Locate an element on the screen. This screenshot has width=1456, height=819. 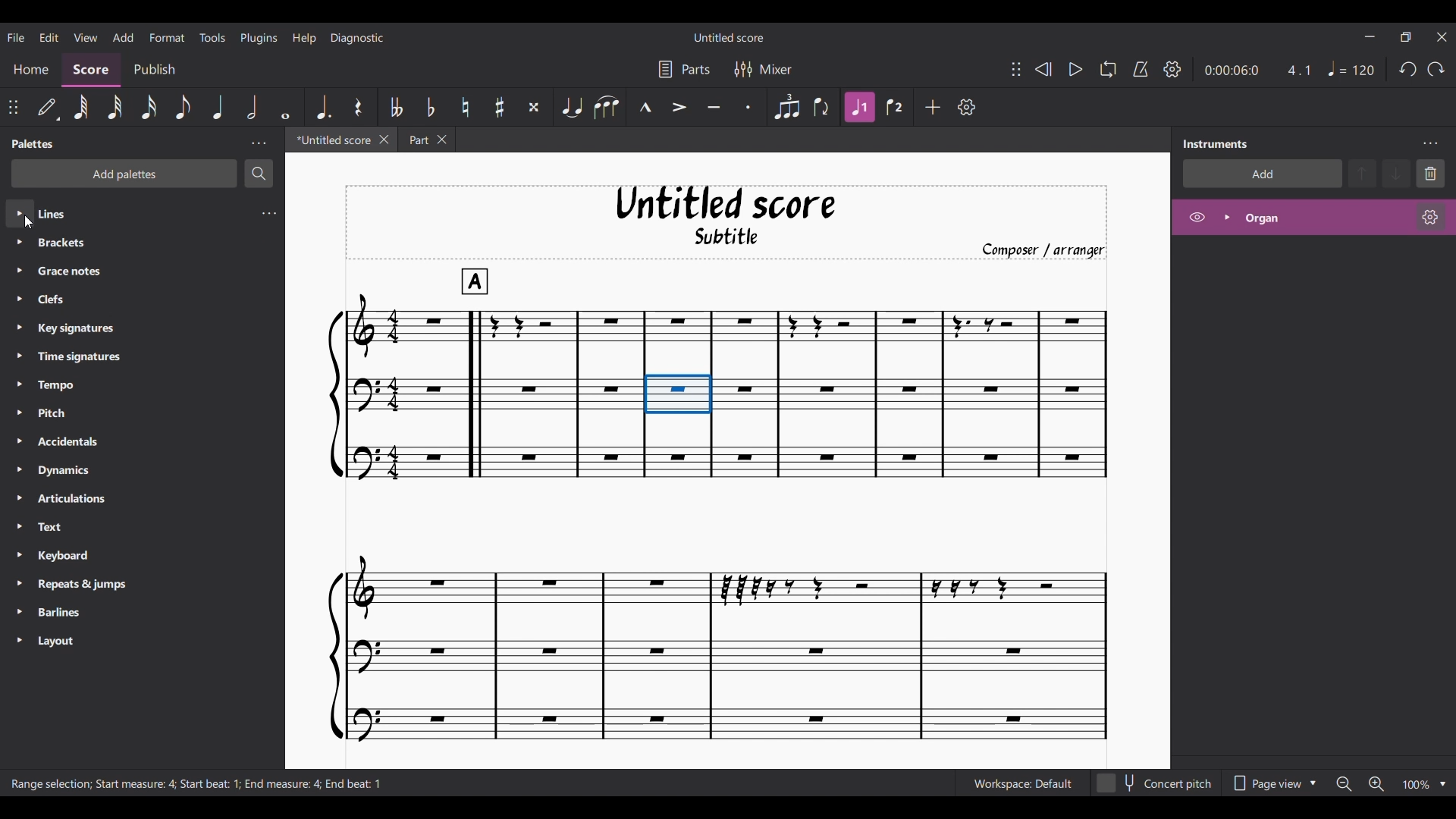
Highlighted after current selection is located at coordinates (860, 108).